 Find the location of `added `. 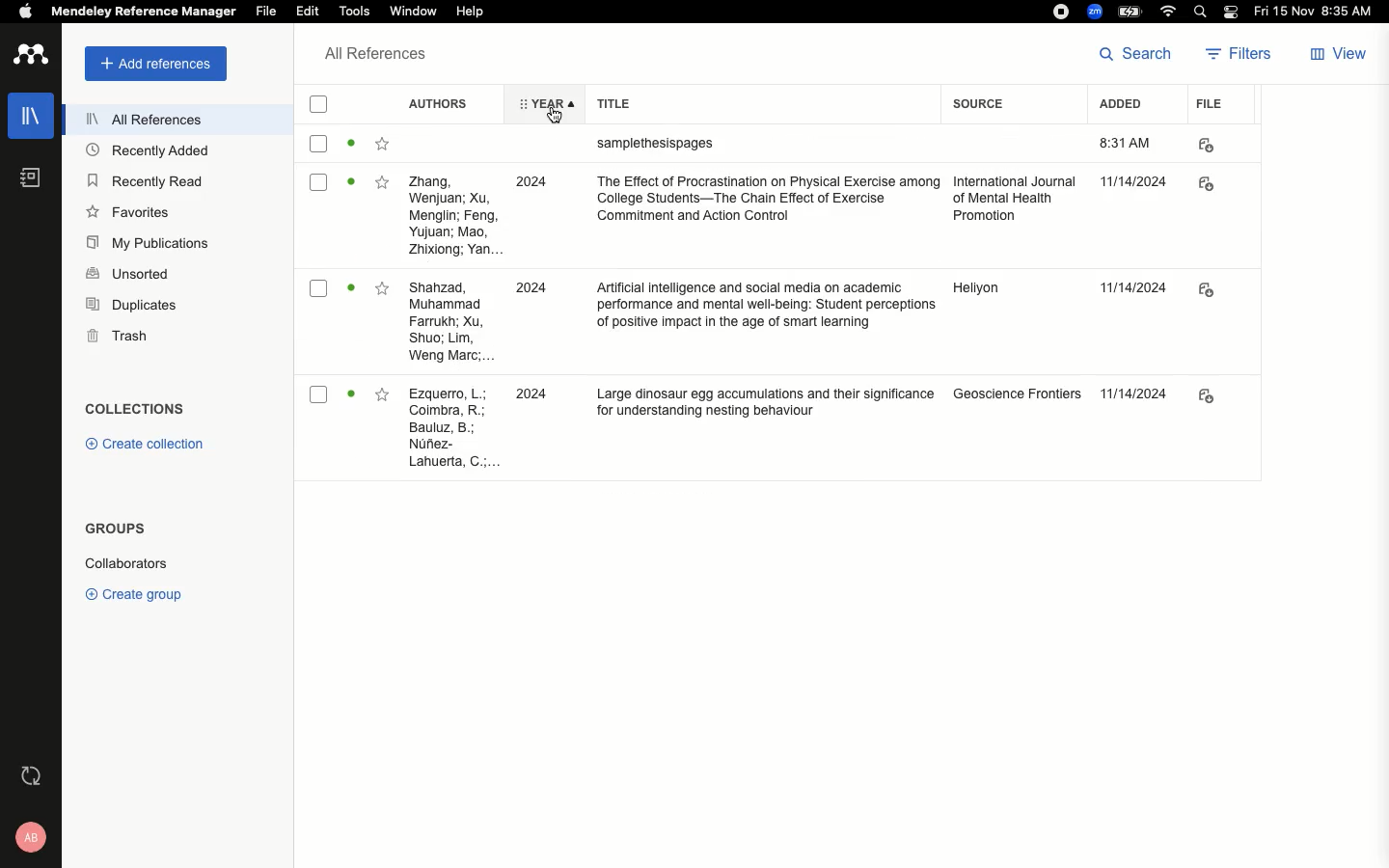

added  is located at coordinates (1132, 144).